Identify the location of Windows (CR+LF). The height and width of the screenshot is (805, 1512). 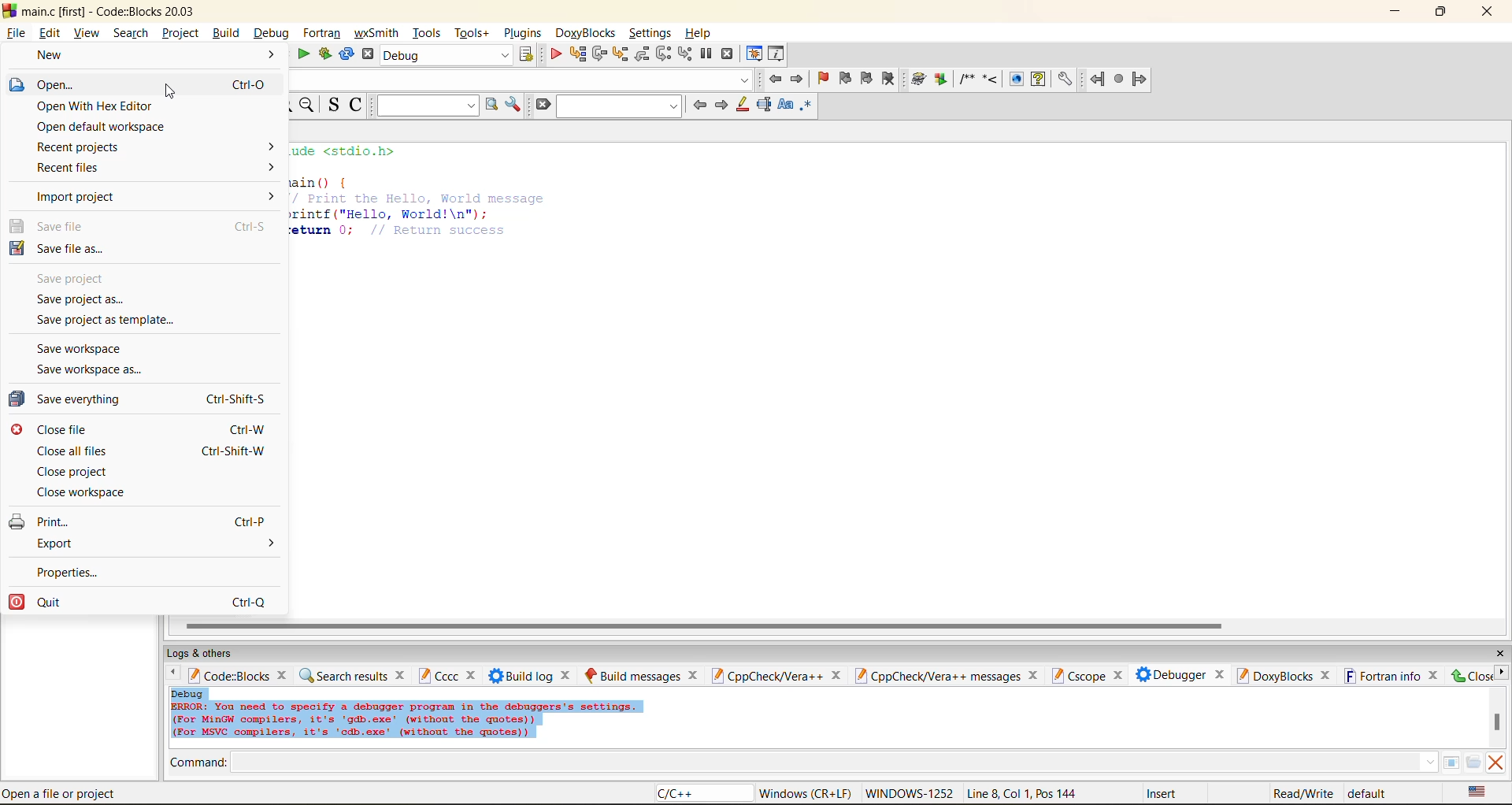
(807, 793).